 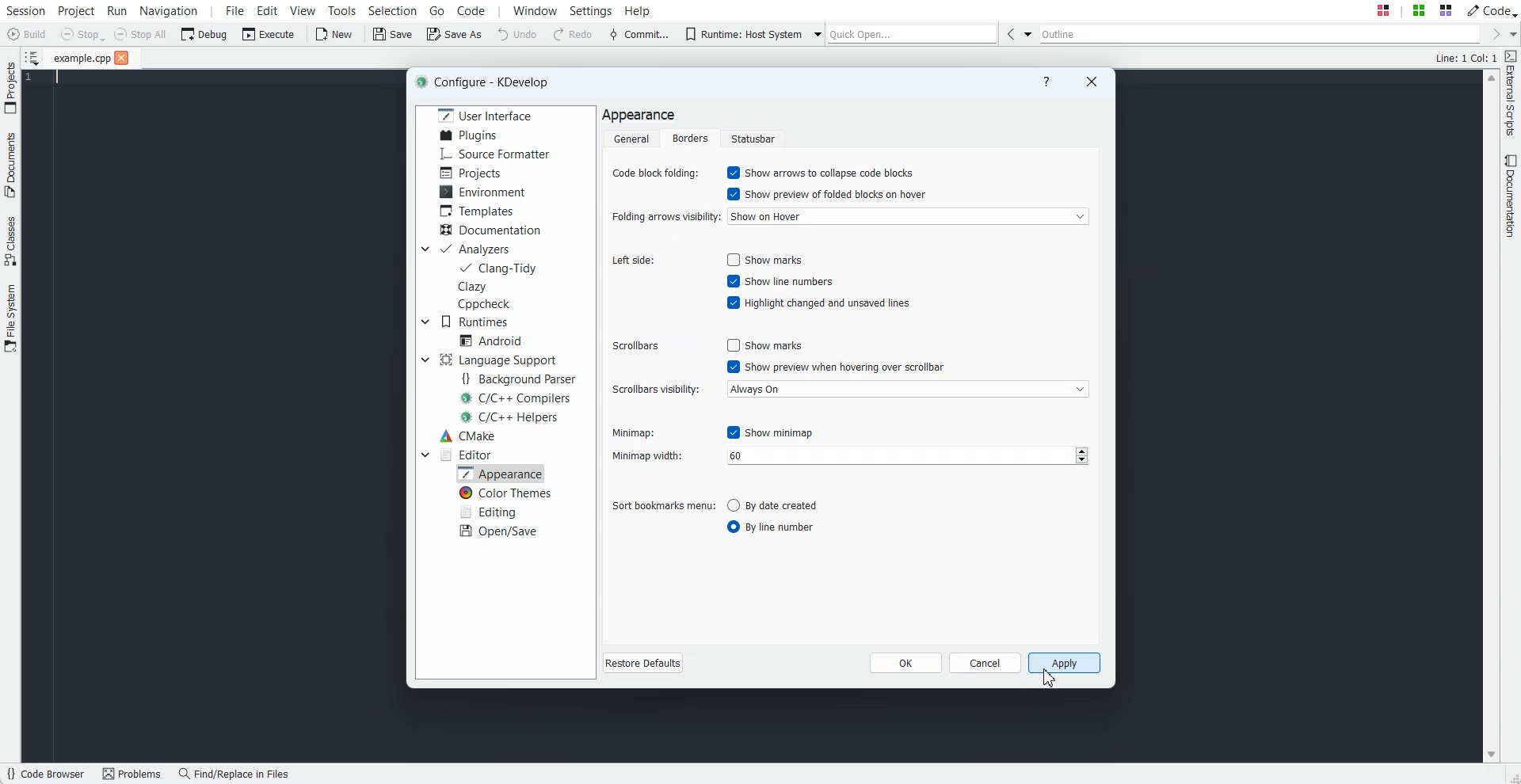 What do you see at coordinates (1009, 33) in the screenshot?
I see `Go Back` at bounding box center [1009, 33].